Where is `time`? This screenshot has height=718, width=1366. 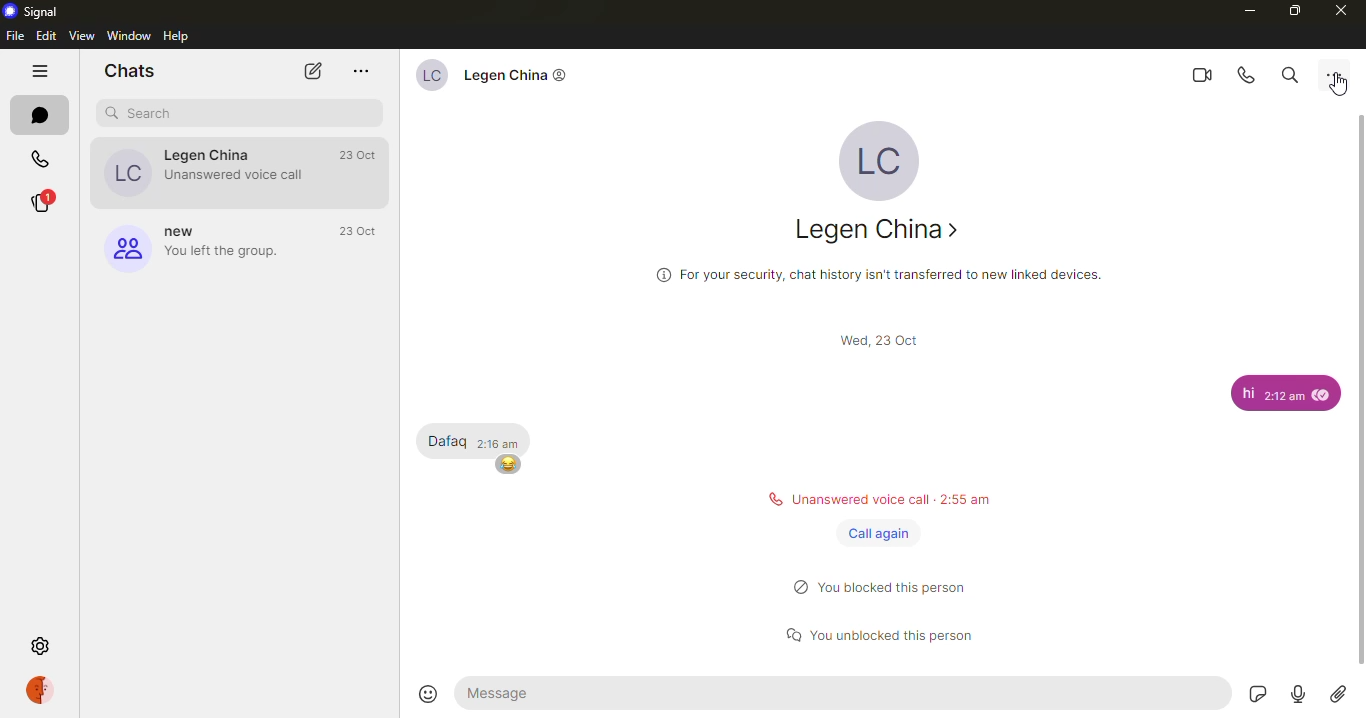
time is located at coordinates (886, 342).